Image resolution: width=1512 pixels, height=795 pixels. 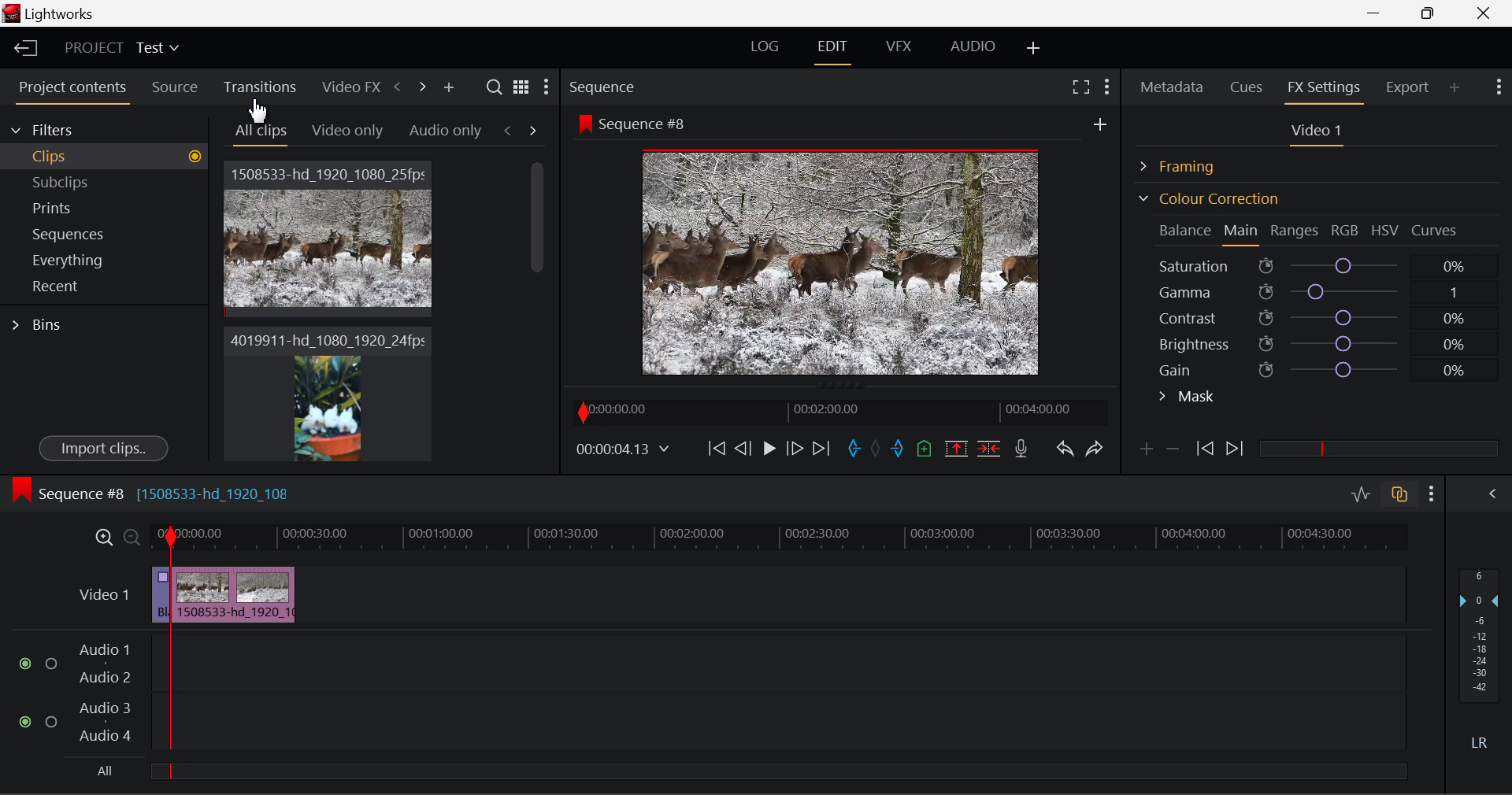 What do you see at coordinates (101, 537) in the screenshot?
I see `Timeline Zoom In` at bounding box center [101, 537].